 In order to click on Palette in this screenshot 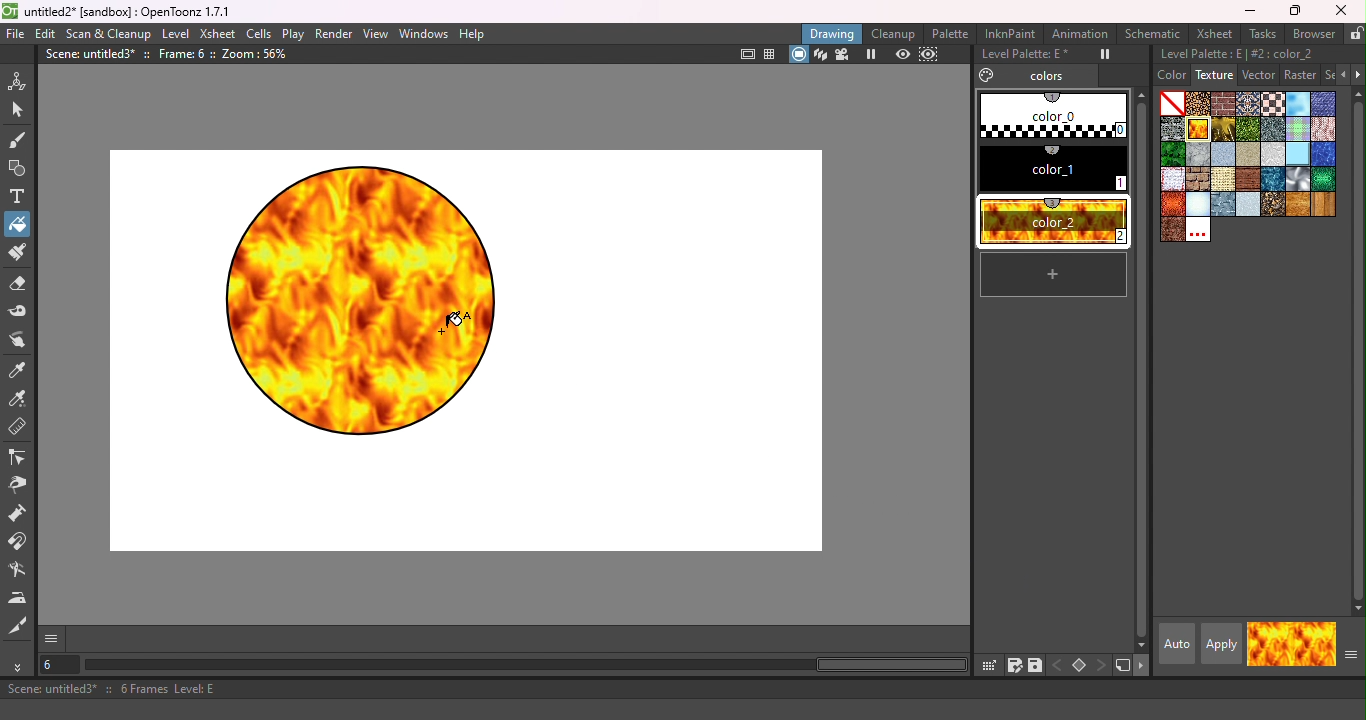, I will do `click(952, 32)`.